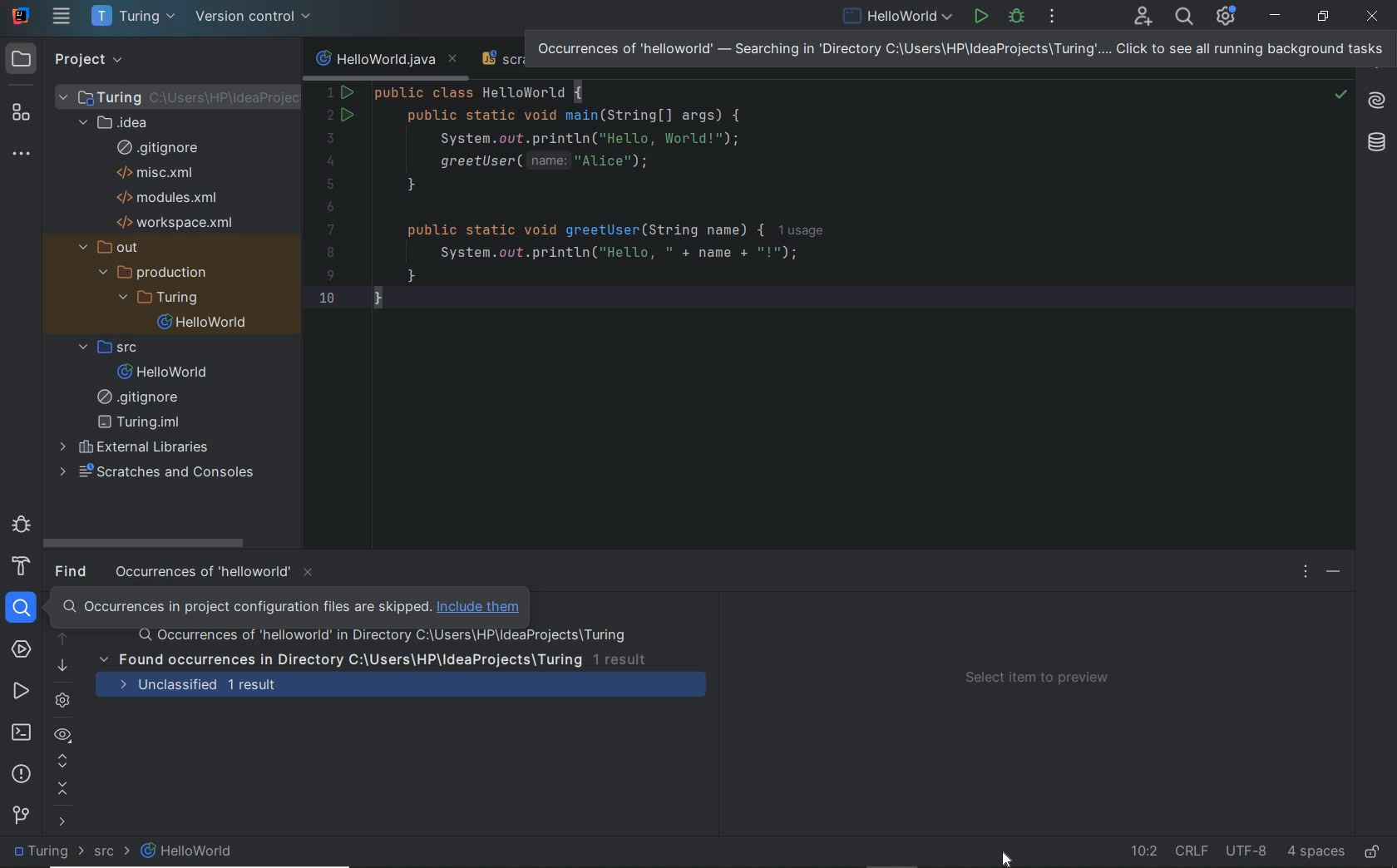  Describe the element at coordinates (1305, 571) in the screenshot. I see `options` at that location.